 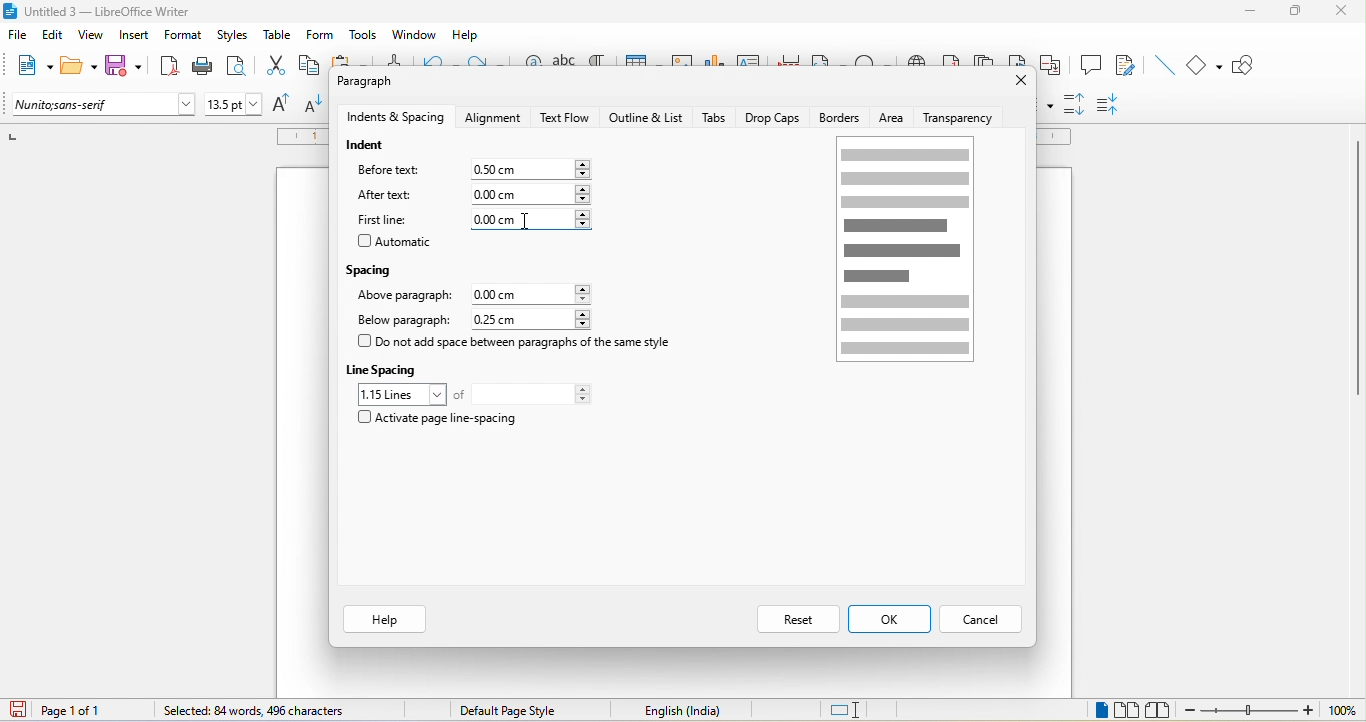 What do you see at coordinates (405, 322) in the screenshot?
I see `below paragraph` at bounding box center [405, 322].